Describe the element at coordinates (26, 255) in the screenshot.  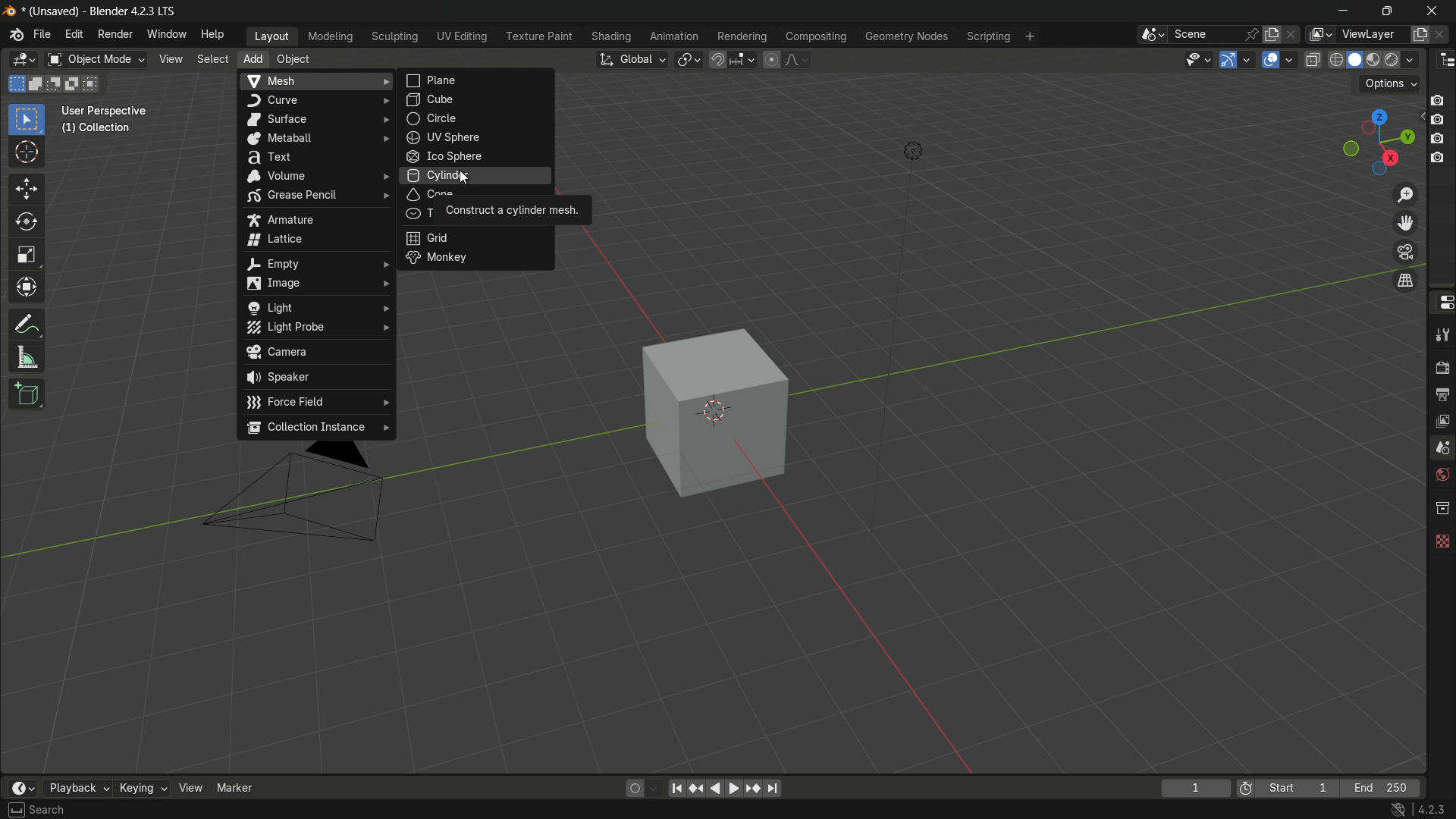
I see `scale` at that location.